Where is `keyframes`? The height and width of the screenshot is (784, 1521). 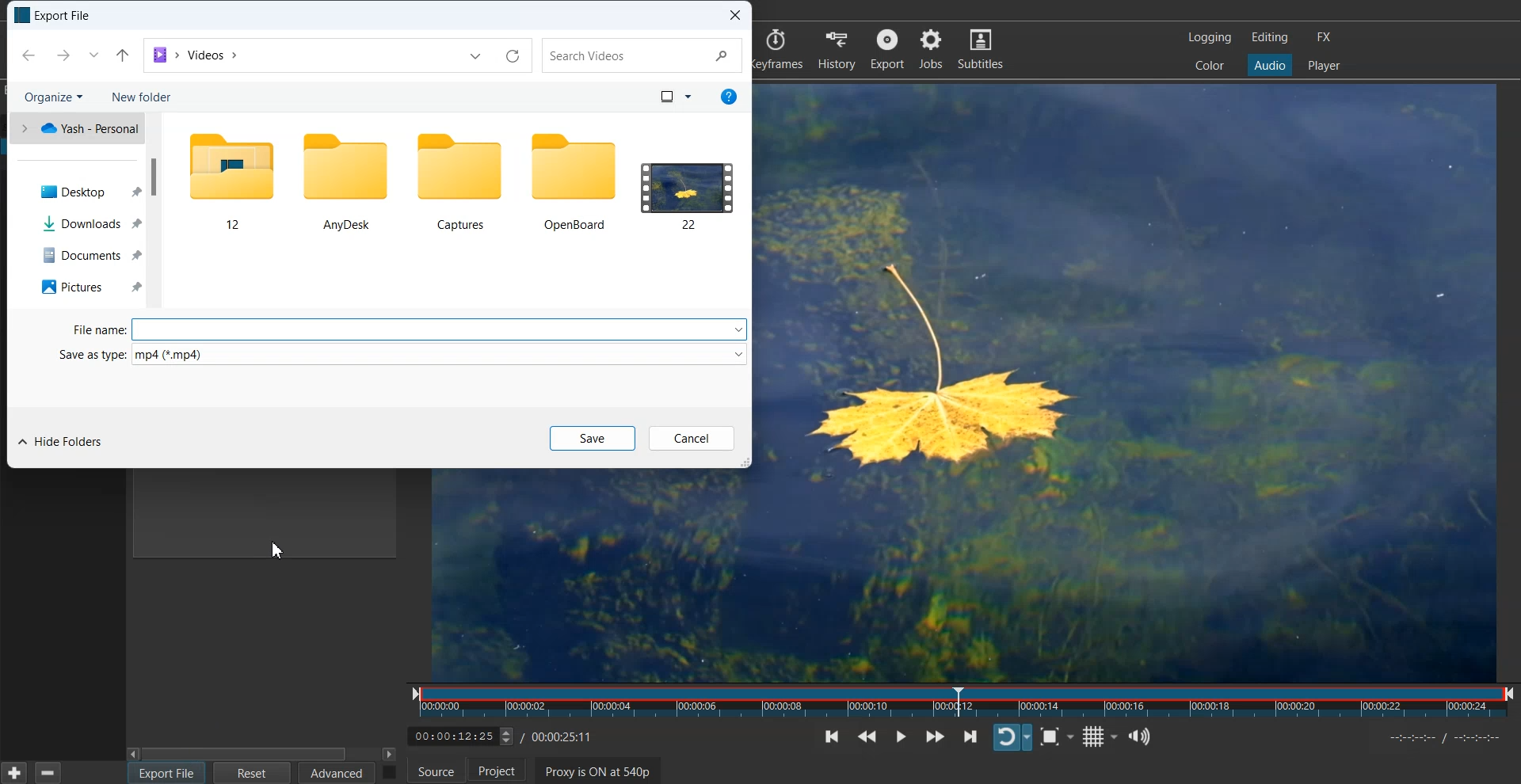
keyframes is located at coordinates (781, 48).